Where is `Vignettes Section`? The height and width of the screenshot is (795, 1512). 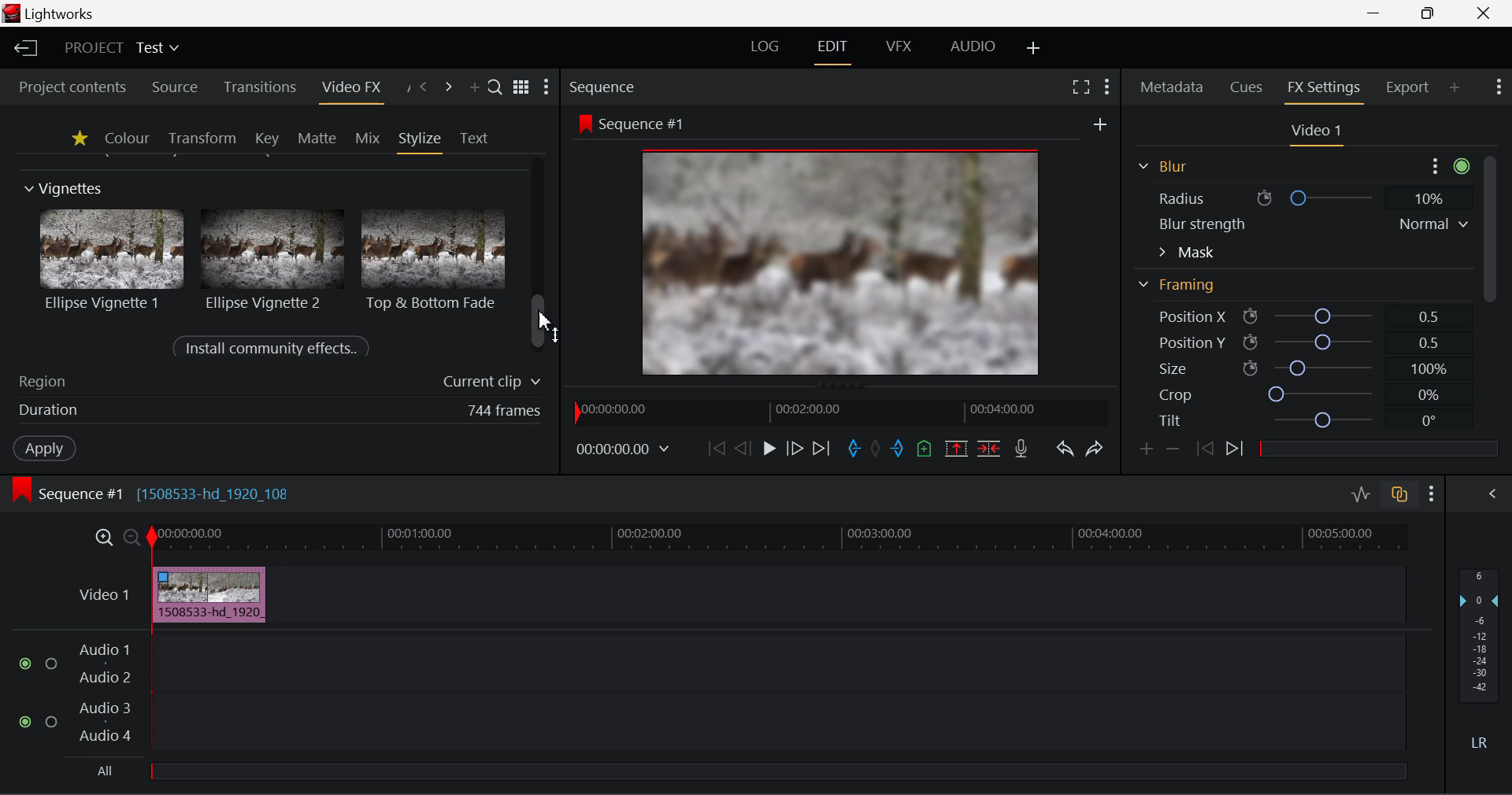
Vignettes Section is located at coordinates (65, 189).